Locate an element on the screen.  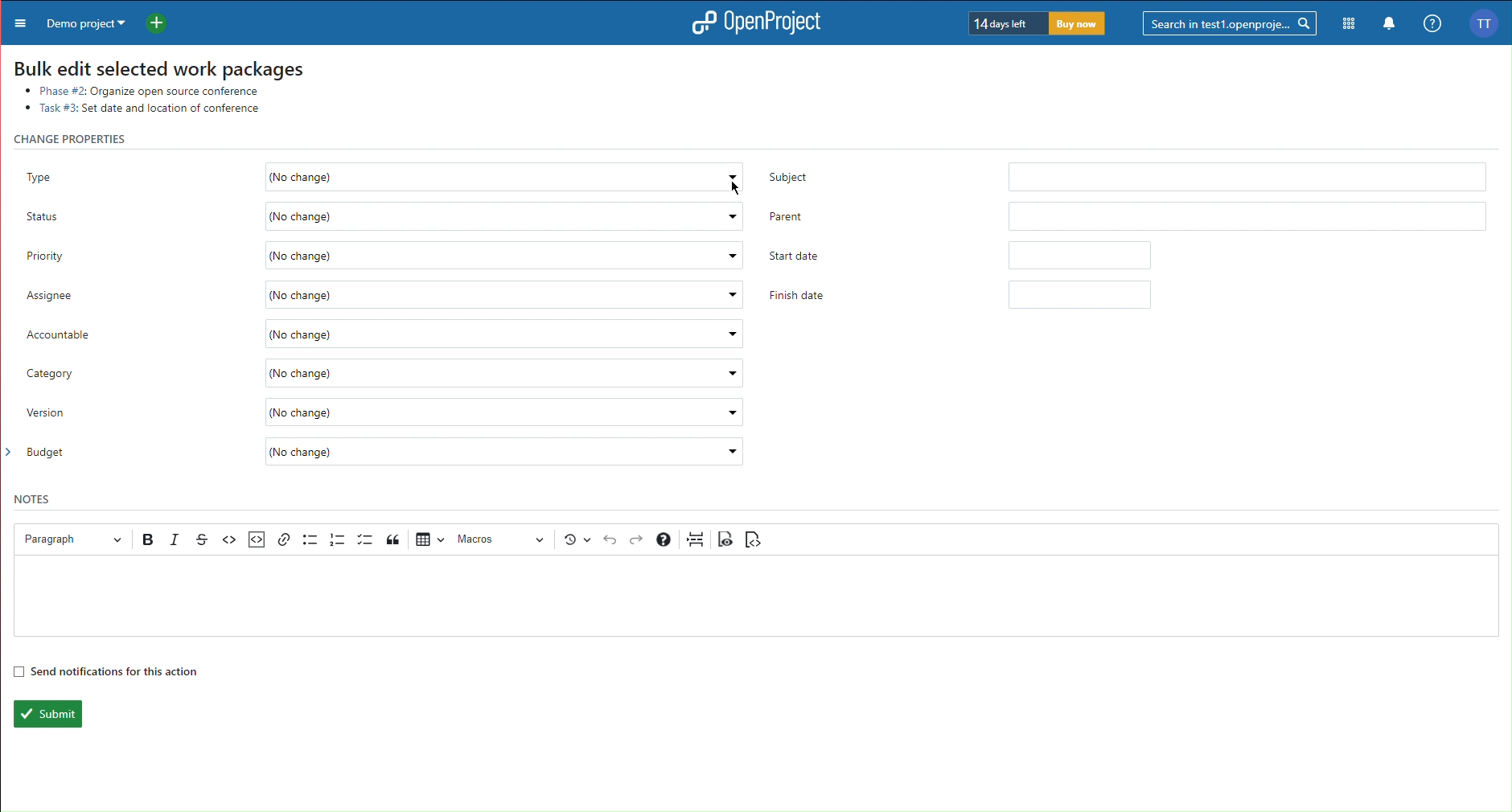
Assignee is located at coordinates (384, 297).